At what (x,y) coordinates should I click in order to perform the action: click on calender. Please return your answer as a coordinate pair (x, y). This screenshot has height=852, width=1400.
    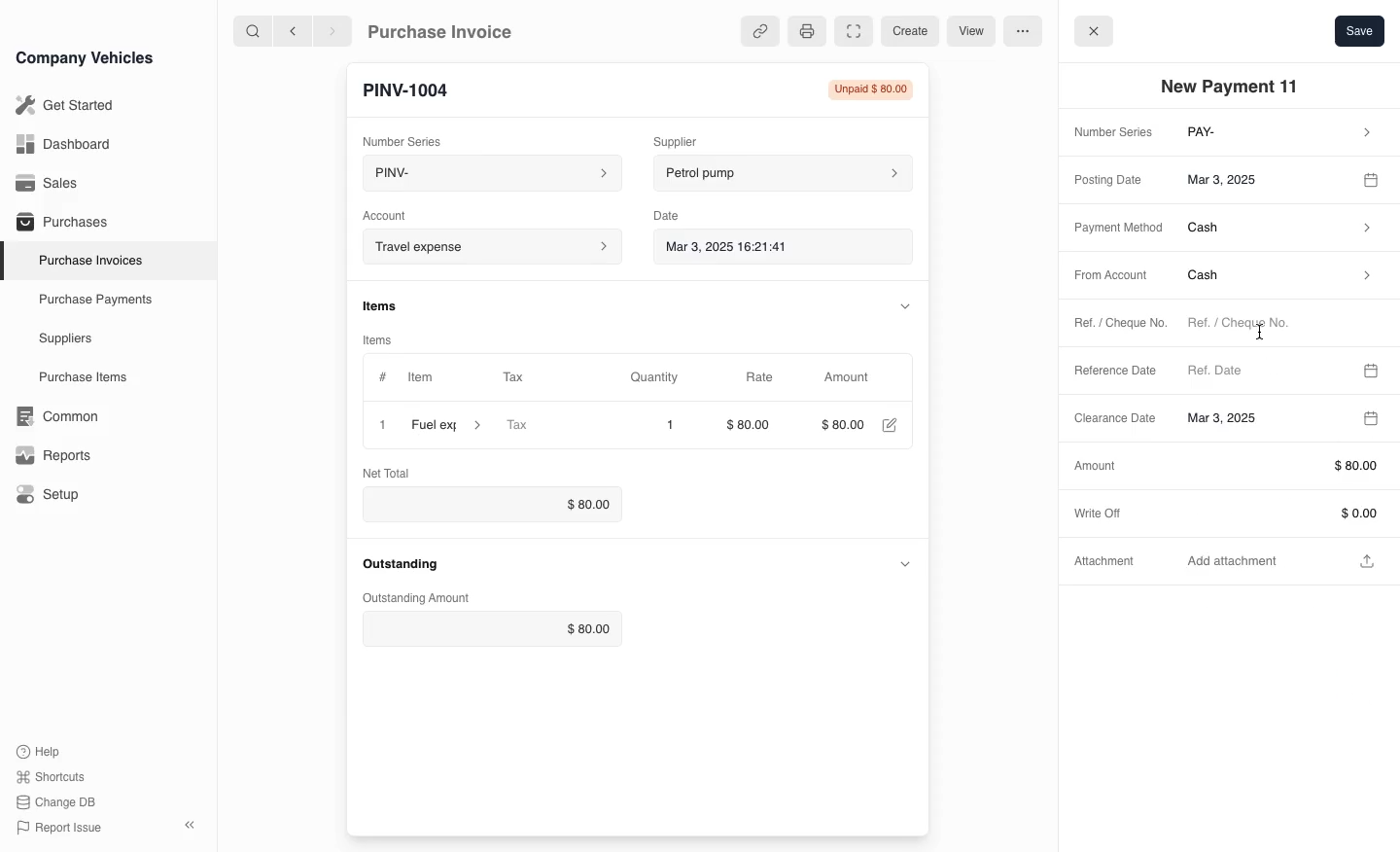
    Looking at the image, I should click on (1372, 368).